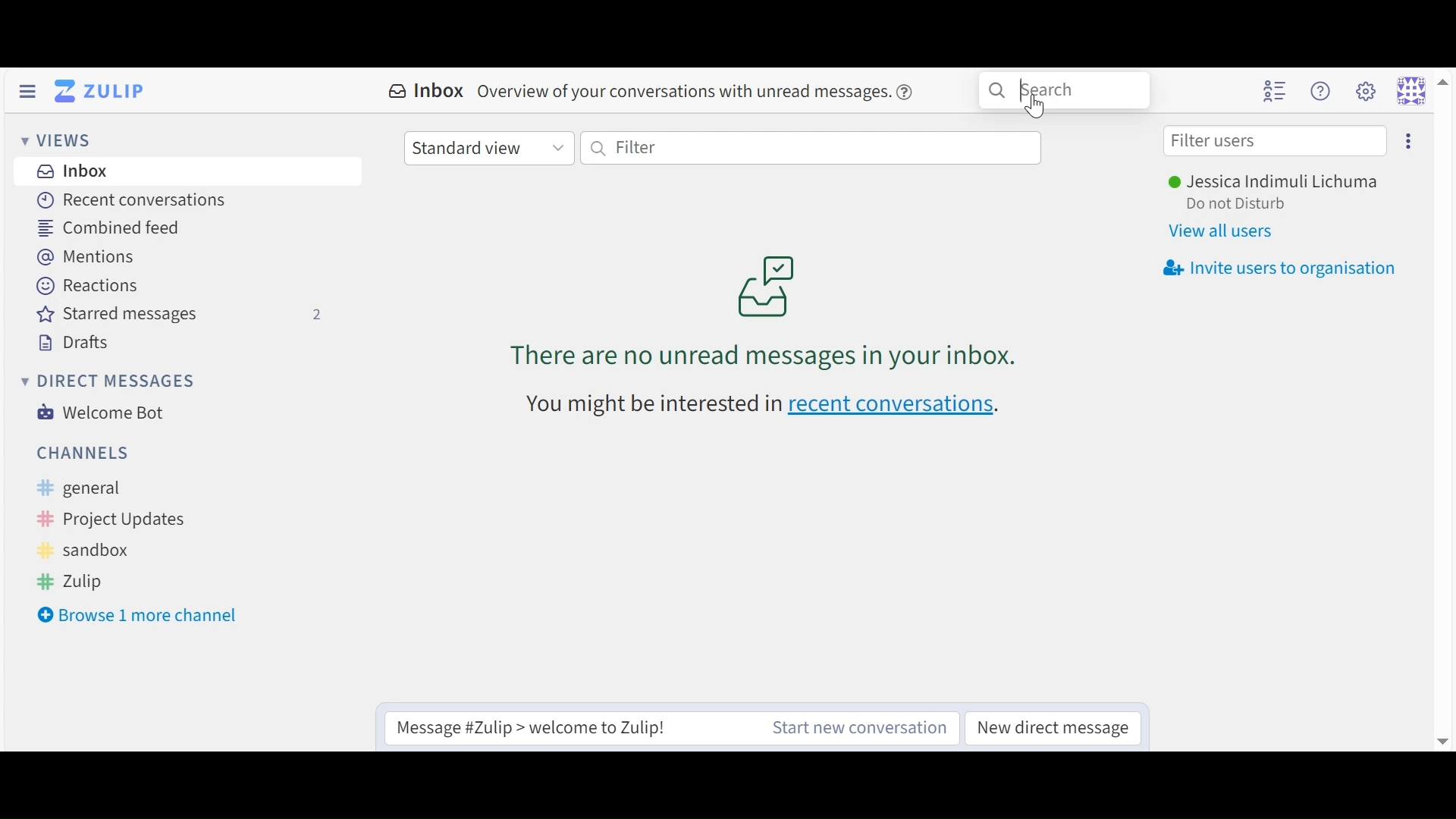 Image resolution: width=1456 pixels, height=819 pixels. What do you see at coordinates (1053, 726) in the screenshot?
I see `New direct message` at bounding box center [1053, 726].